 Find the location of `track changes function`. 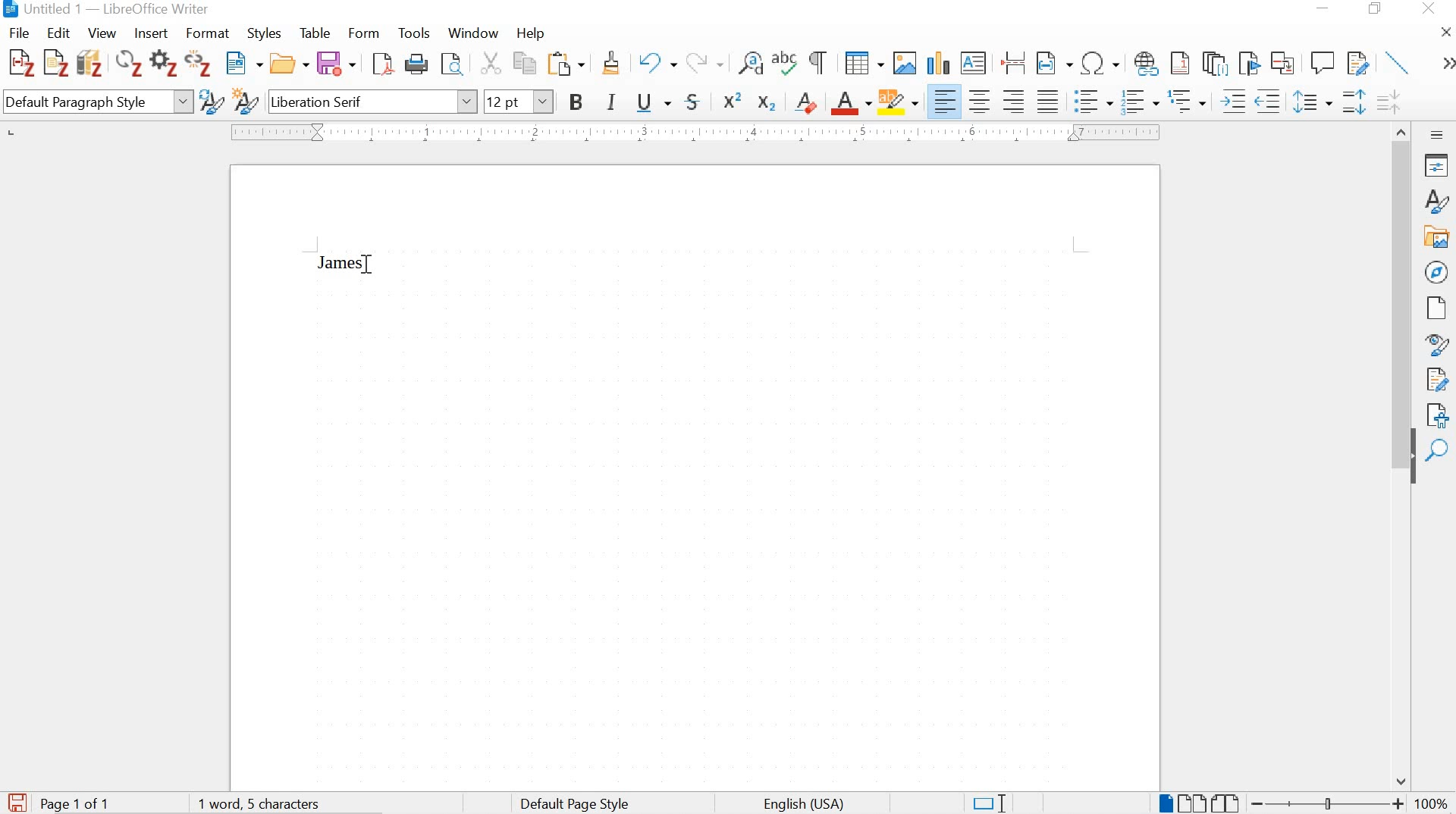

track changes function is located at coordinates (1355, 61).